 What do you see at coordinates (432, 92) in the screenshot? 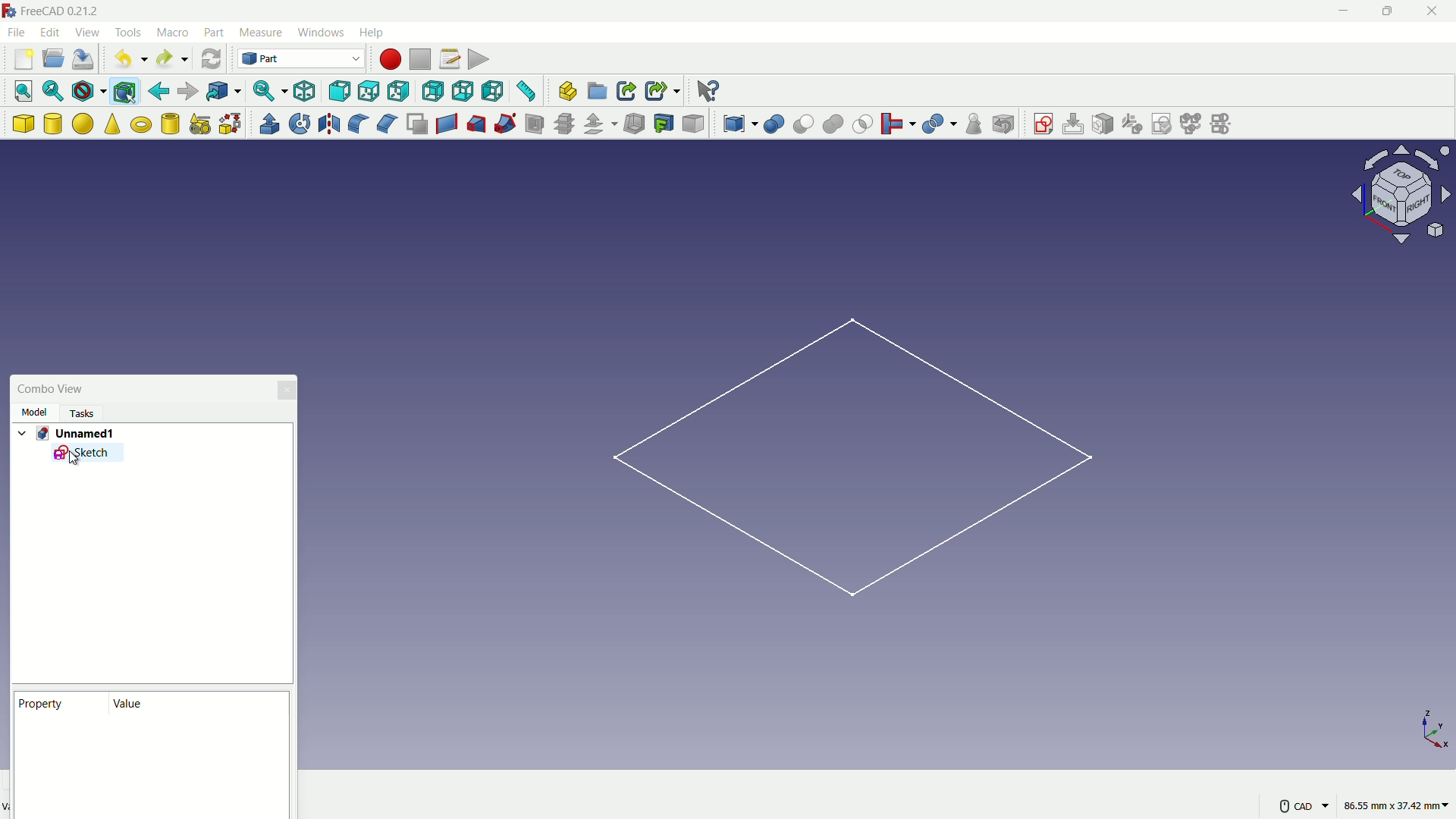
I see `back view` at bounding box center [432, 92].